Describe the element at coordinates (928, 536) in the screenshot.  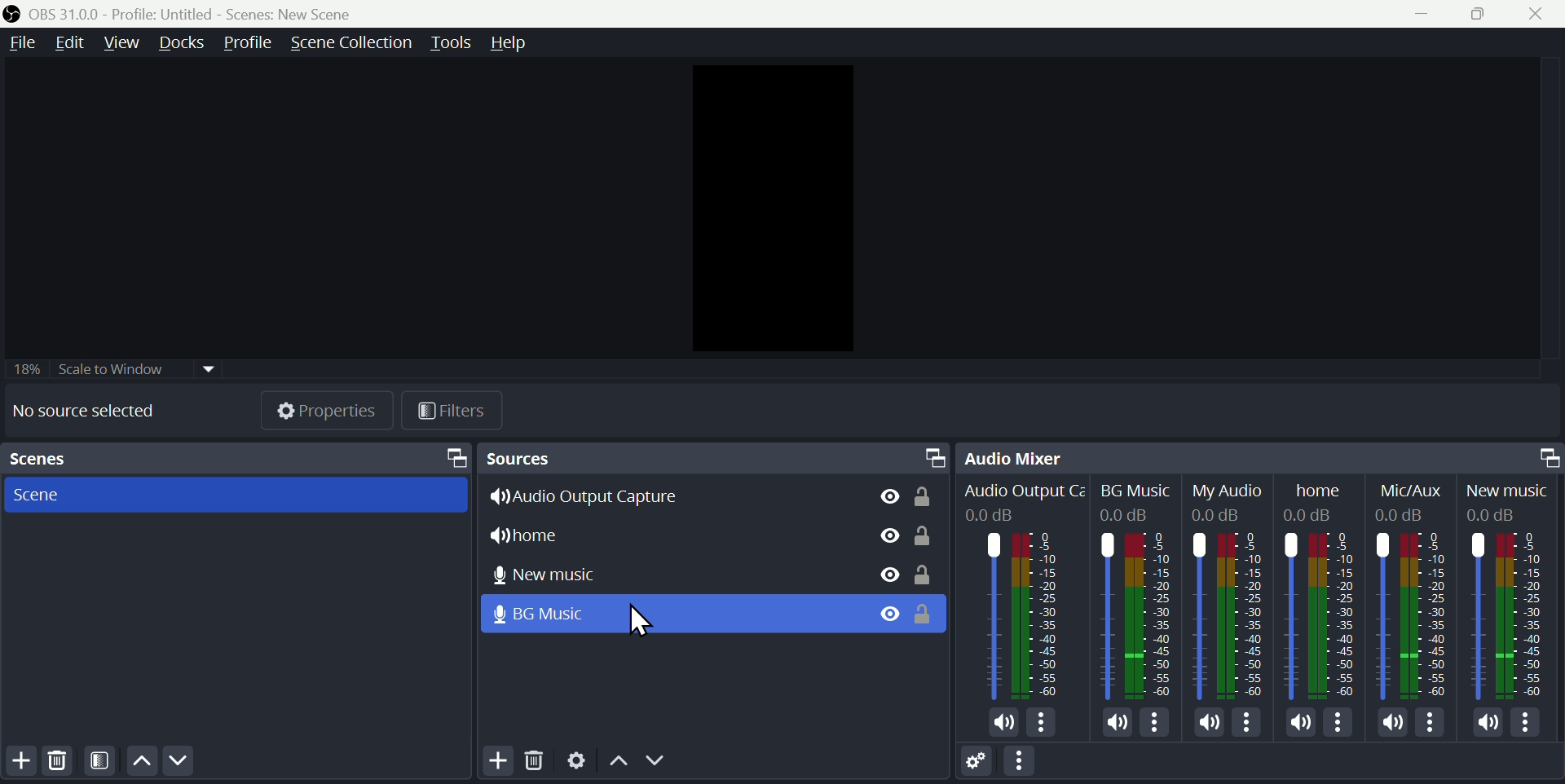
I see `lock/unlock` at that location.